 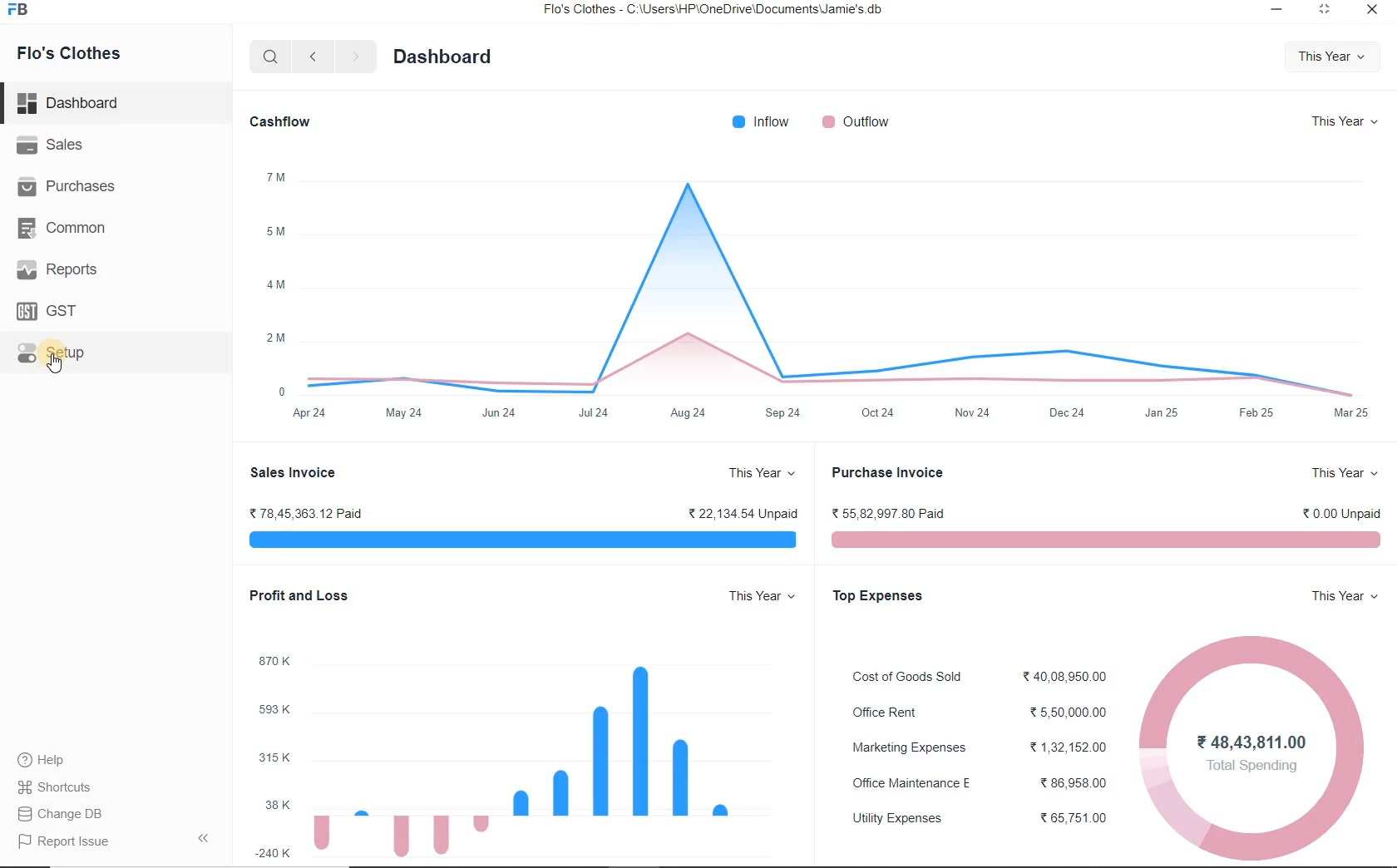 I want to click on Setup, so click(x=50, y=357).